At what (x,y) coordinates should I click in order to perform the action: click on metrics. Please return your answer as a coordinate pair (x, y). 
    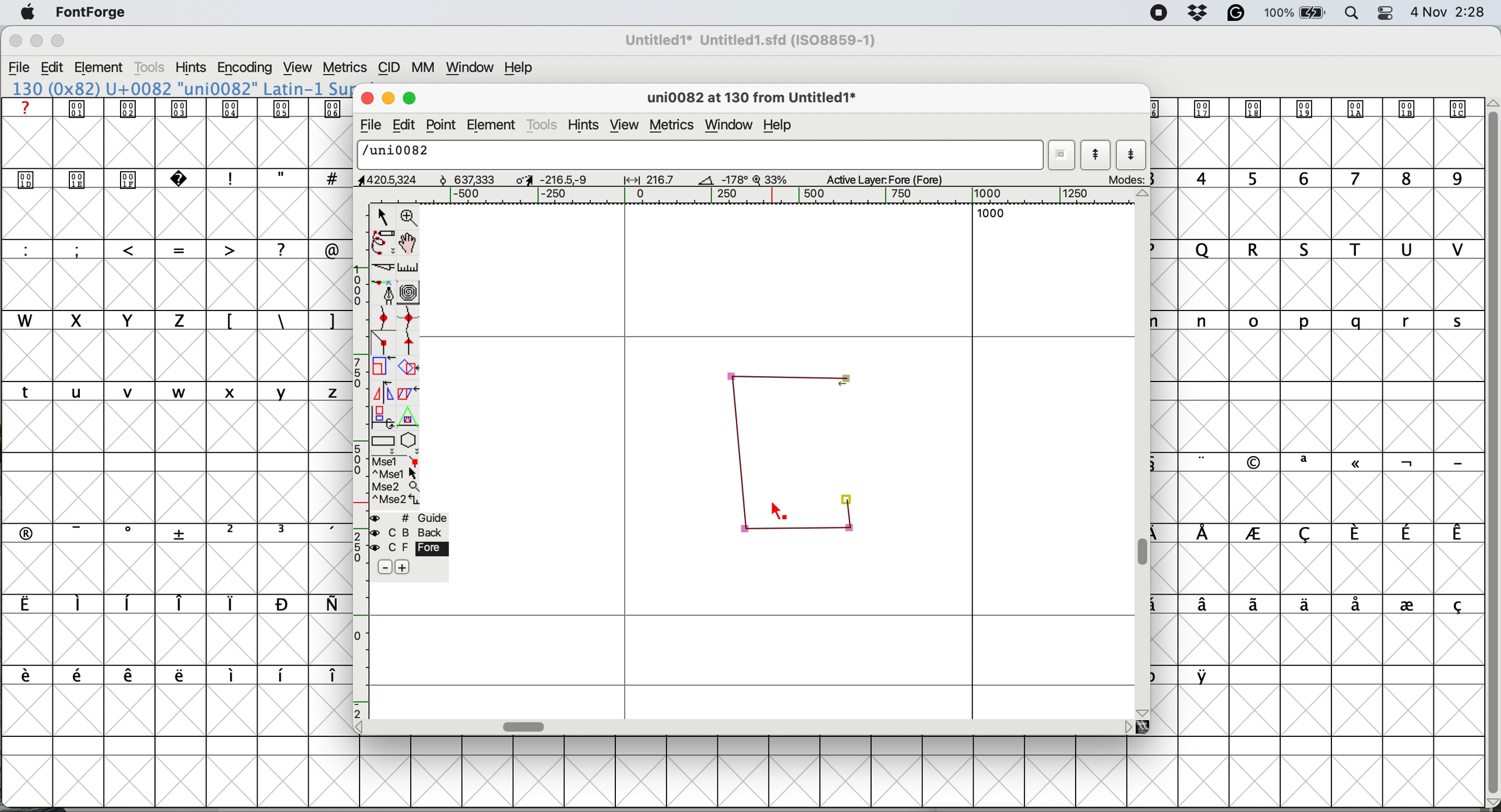
    Looking at the image, I should click on (674, 127).